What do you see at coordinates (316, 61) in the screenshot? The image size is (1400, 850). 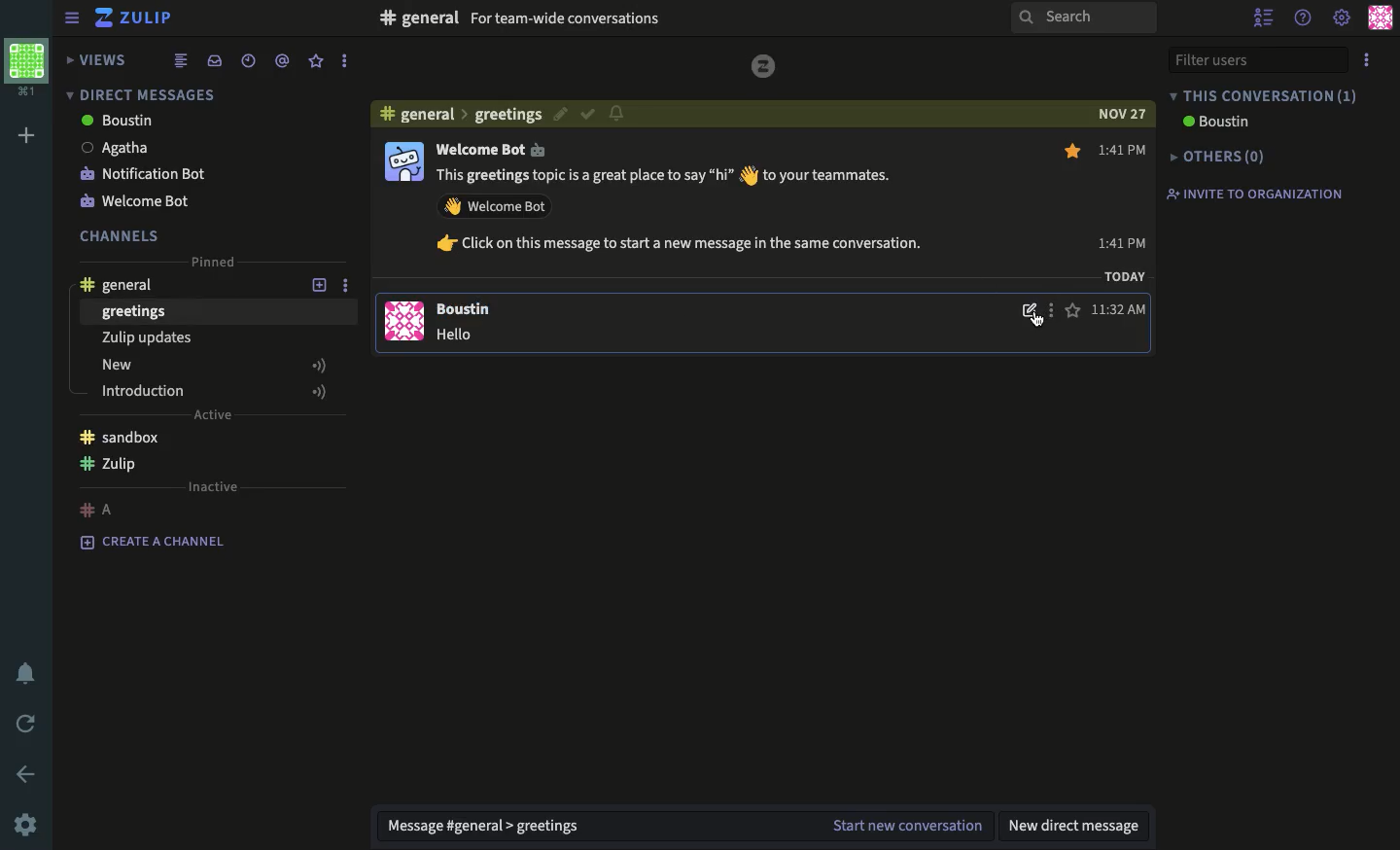 I see `favorite` at bounding box center [316, 61].